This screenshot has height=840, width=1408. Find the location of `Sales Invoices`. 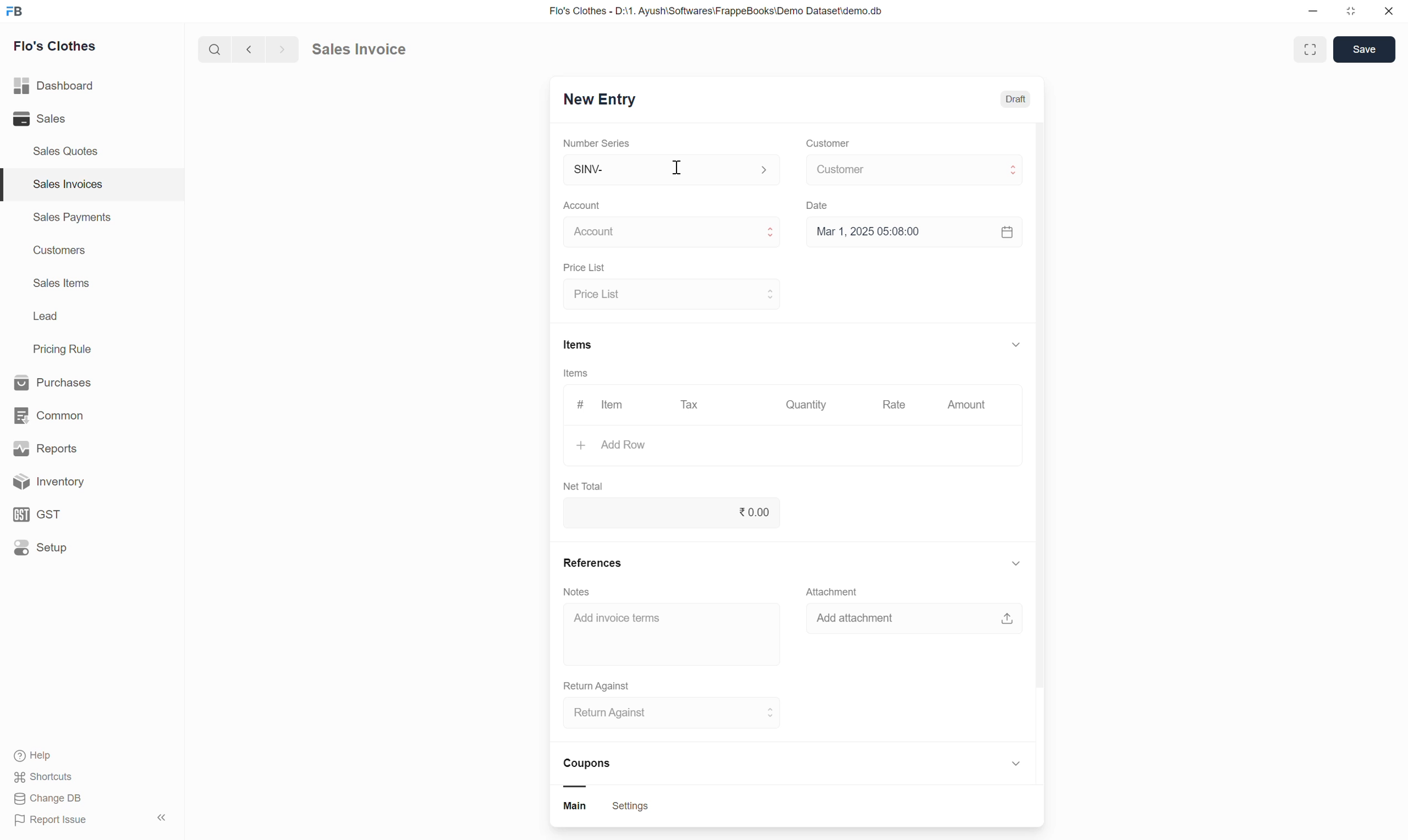

Sales Invoices is located at coordinates (66, 184).